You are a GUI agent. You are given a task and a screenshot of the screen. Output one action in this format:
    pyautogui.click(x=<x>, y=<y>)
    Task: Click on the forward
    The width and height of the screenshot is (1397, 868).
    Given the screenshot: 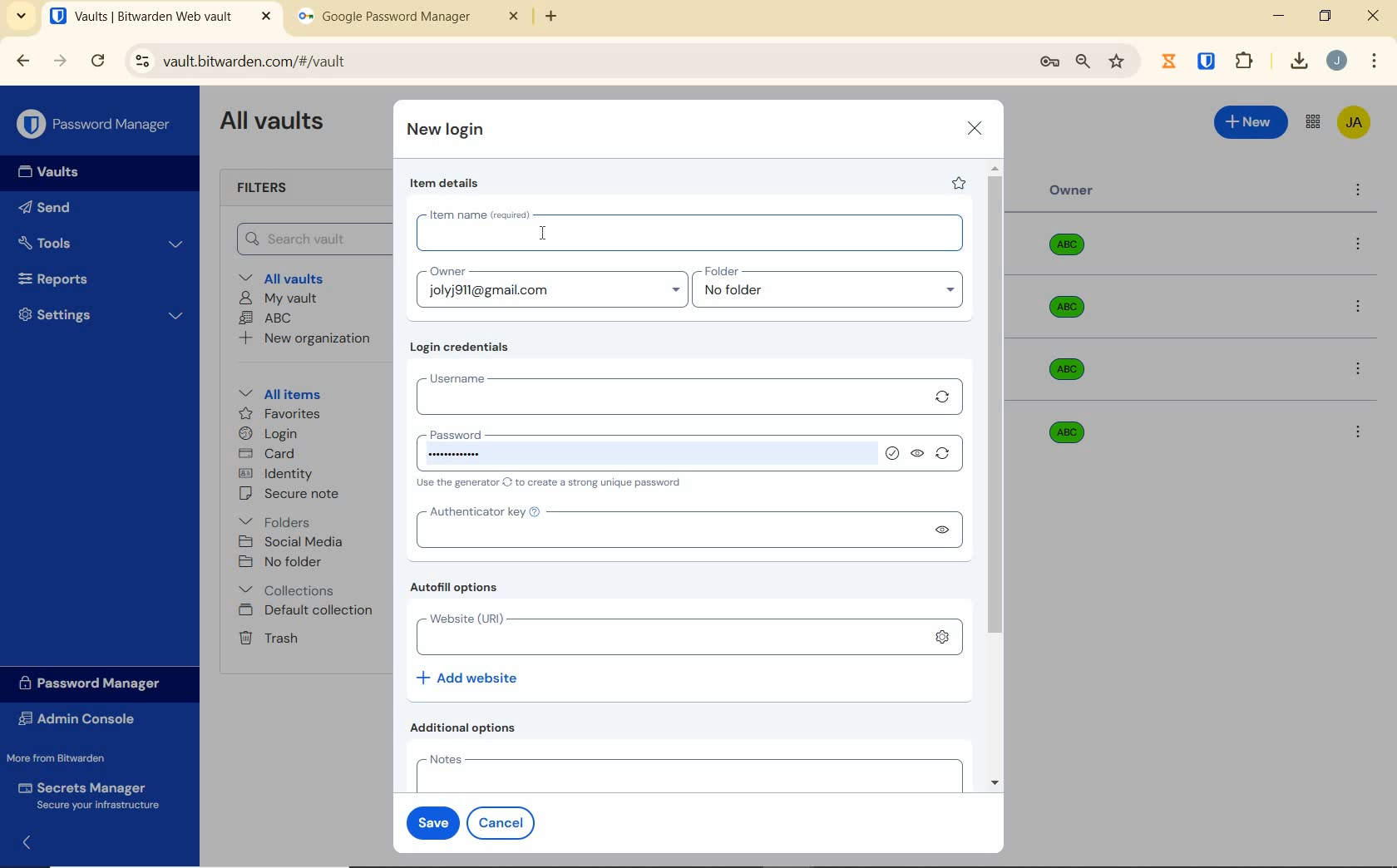 What is the action you would take?
    pyautogui.click(x=61, y=61)
    